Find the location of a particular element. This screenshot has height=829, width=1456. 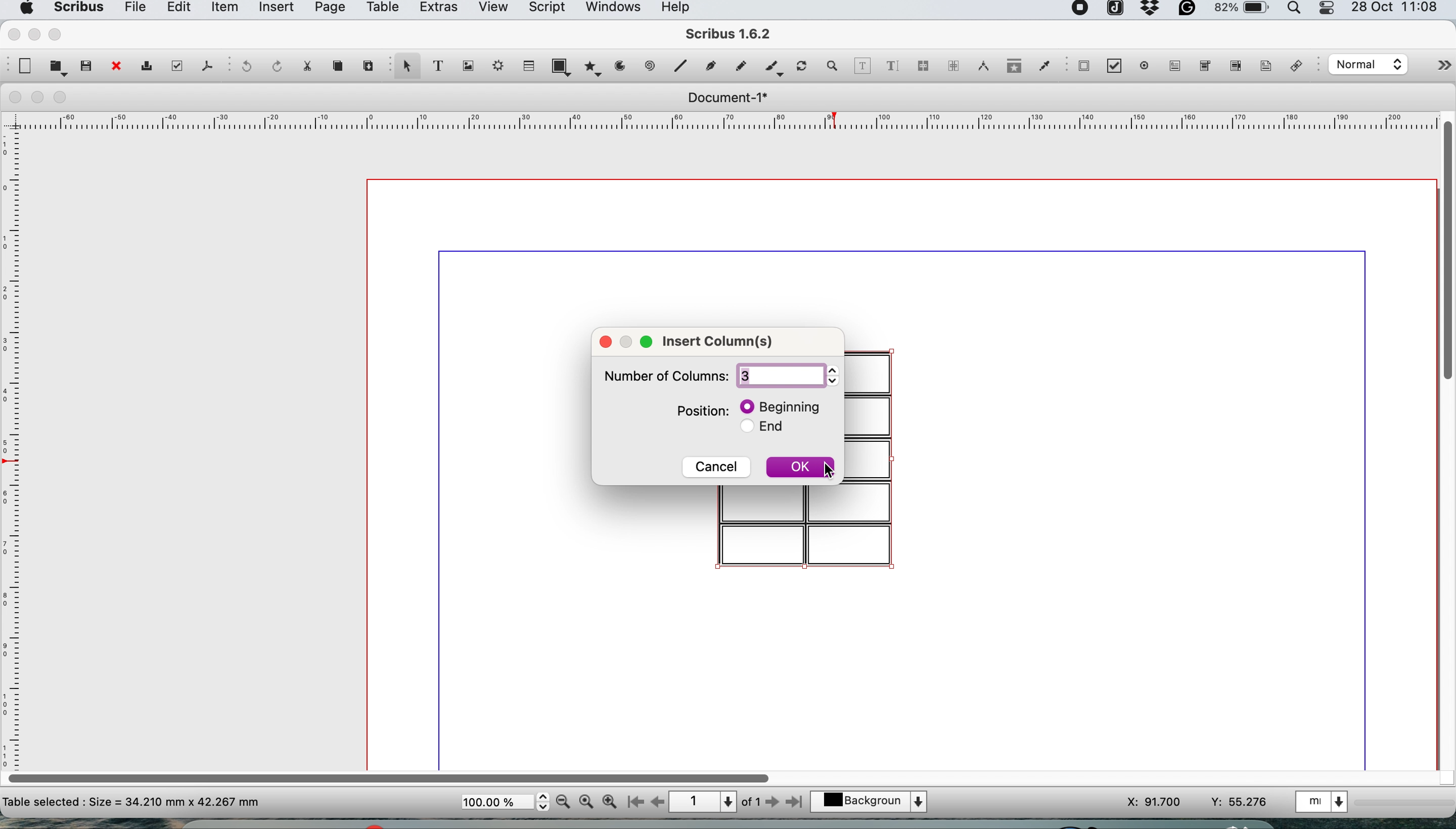

minimise is located at coordinates (34, 34).